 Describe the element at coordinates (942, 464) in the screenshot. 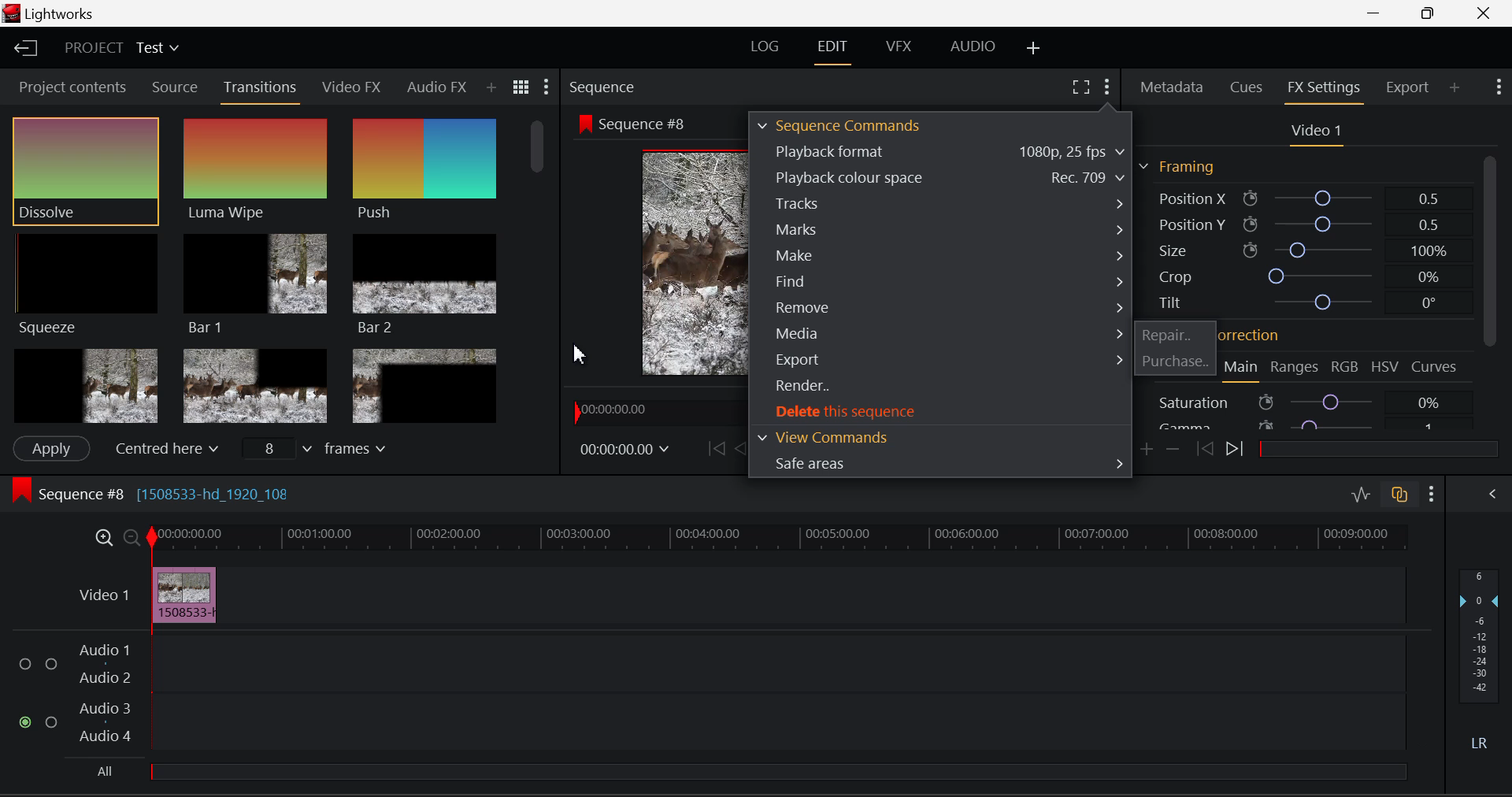

I see `Safe areas` at that location.